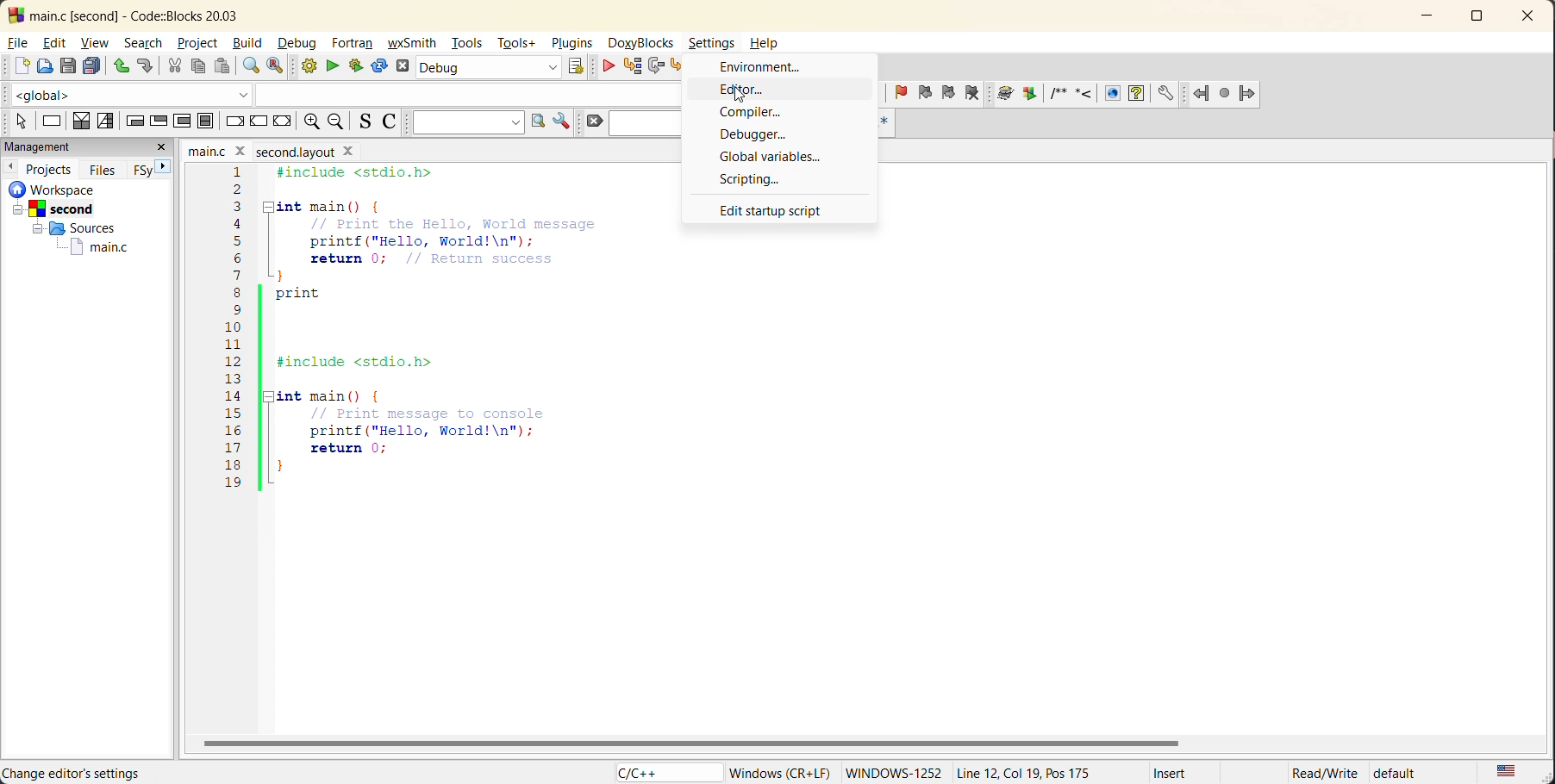  I want to click on jump forward, so click(1256, 92).